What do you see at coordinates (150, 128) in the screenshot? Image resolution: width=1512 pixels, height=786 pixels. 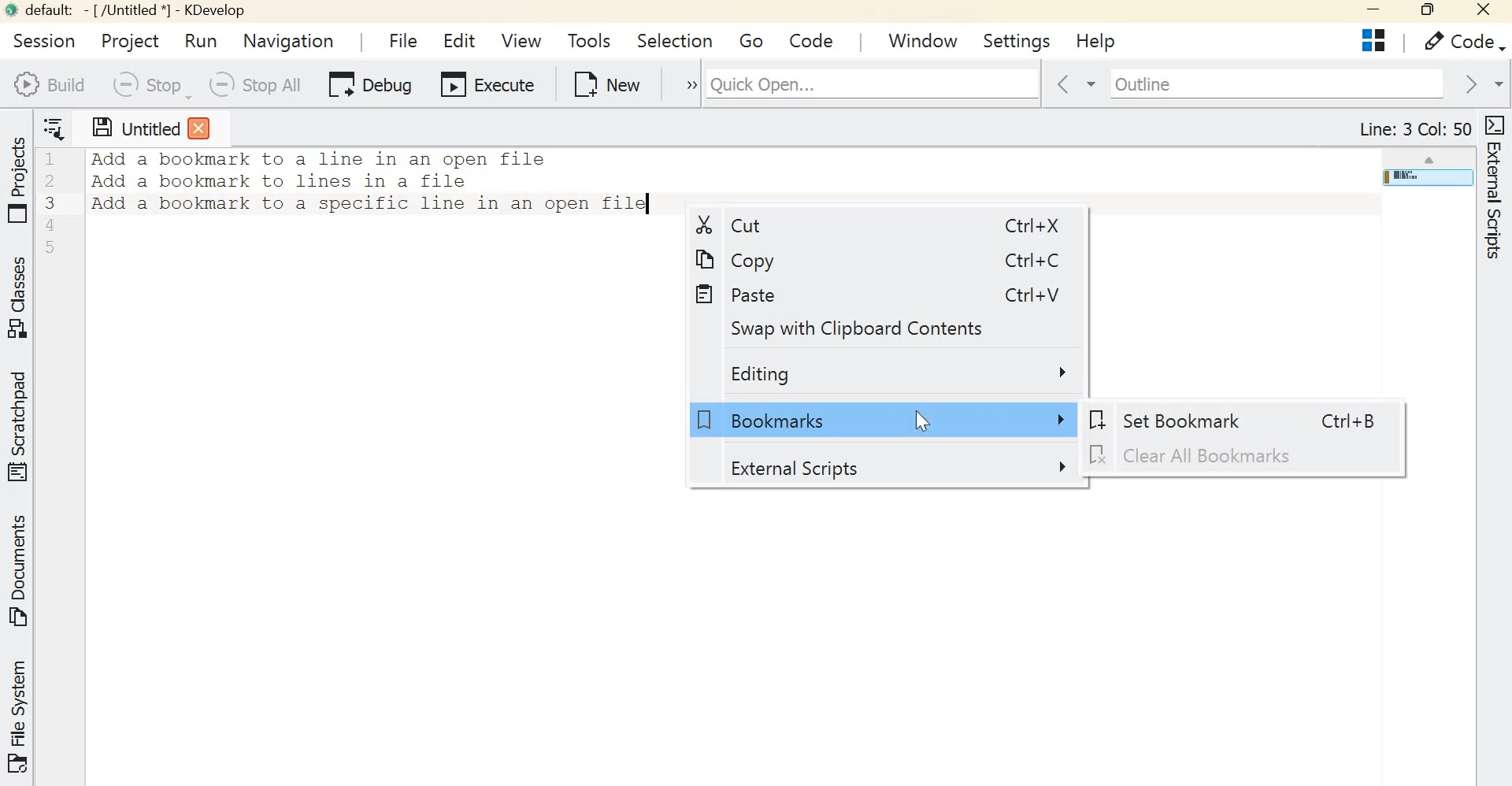 I see `Untitled` at bounding box center [150, 128].